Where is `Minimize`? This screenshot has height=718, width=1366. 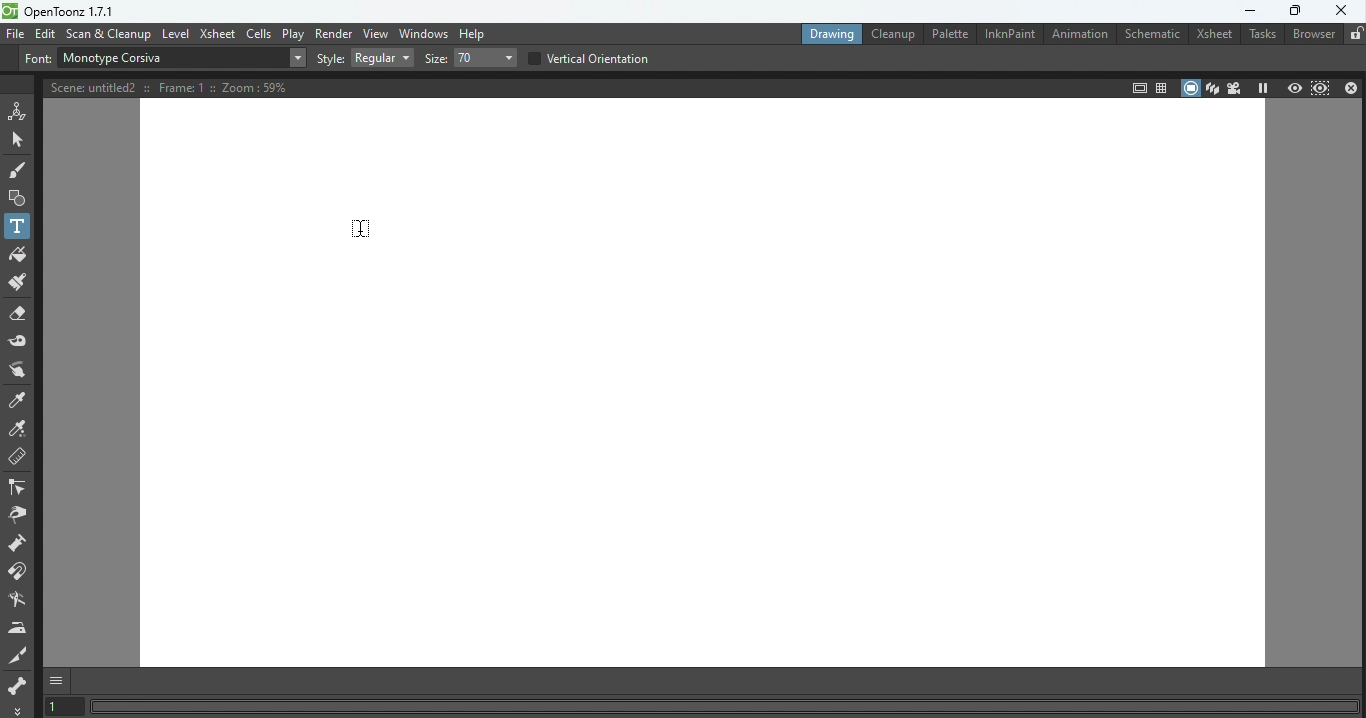 Minimize is located at coordinates (1252, 10).